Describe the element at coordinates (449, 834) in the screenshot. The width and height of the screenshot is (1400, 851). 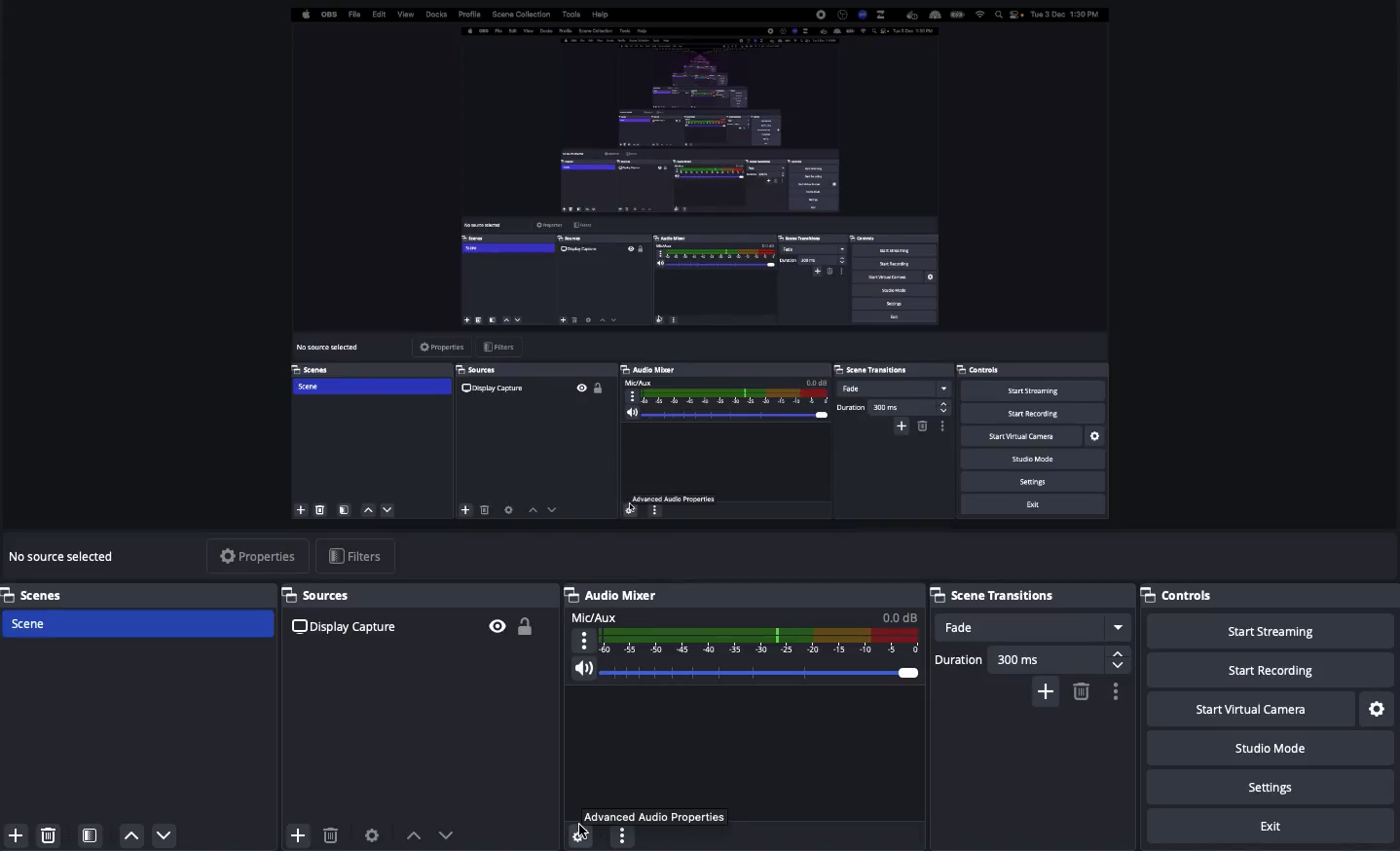
I see `Move down` at that location.